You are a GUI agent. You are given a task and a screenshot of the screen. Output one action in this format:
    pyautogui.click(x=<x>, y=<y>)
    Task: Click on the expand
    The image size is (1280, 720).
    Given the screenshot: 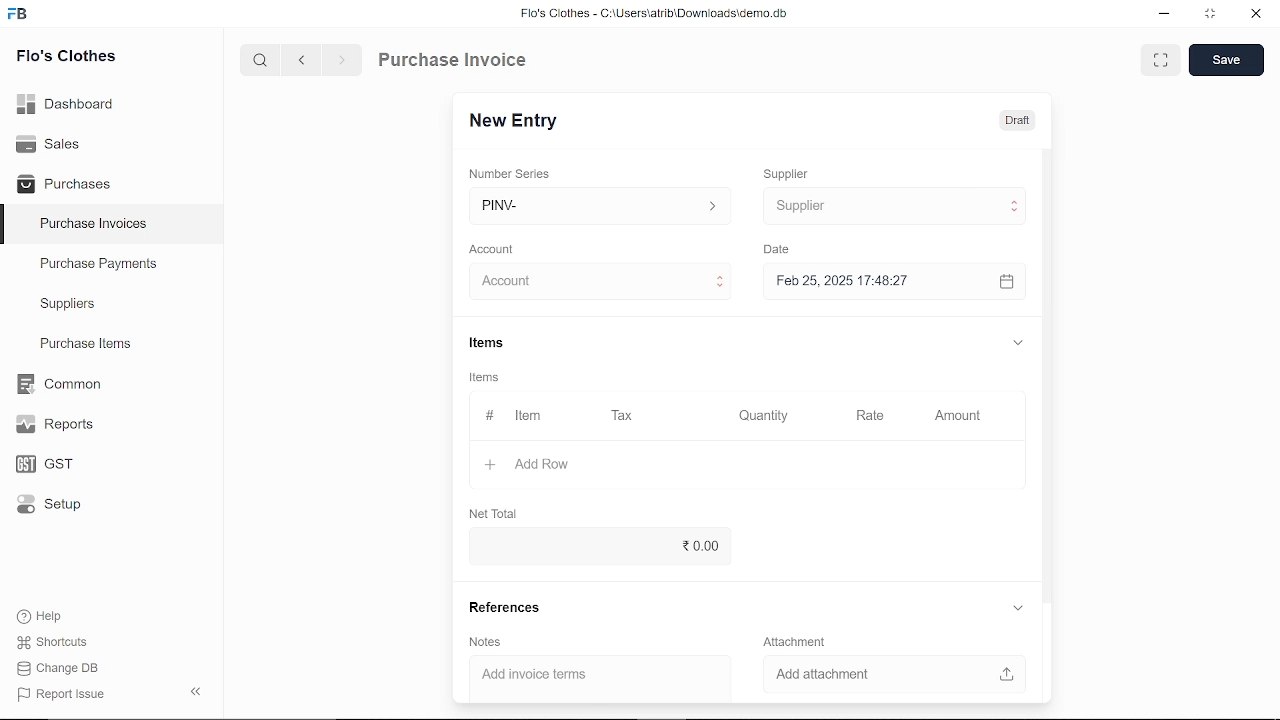 What is the action you would take?
    pyautogui.click(x=1015, y=340)
    